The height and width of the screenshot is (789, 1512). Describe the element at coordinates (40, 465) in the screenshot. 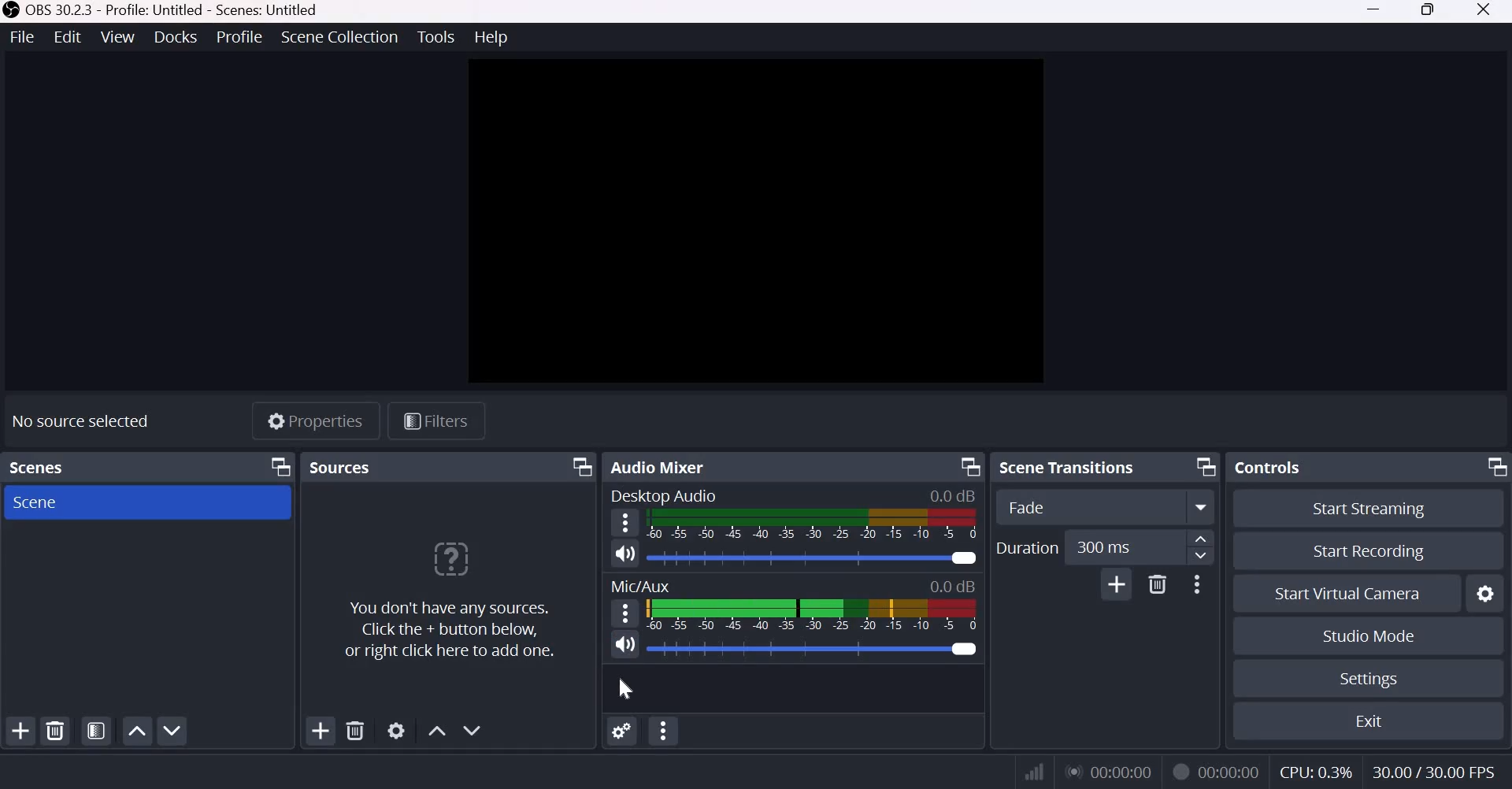

I see `Scenes` at that location.